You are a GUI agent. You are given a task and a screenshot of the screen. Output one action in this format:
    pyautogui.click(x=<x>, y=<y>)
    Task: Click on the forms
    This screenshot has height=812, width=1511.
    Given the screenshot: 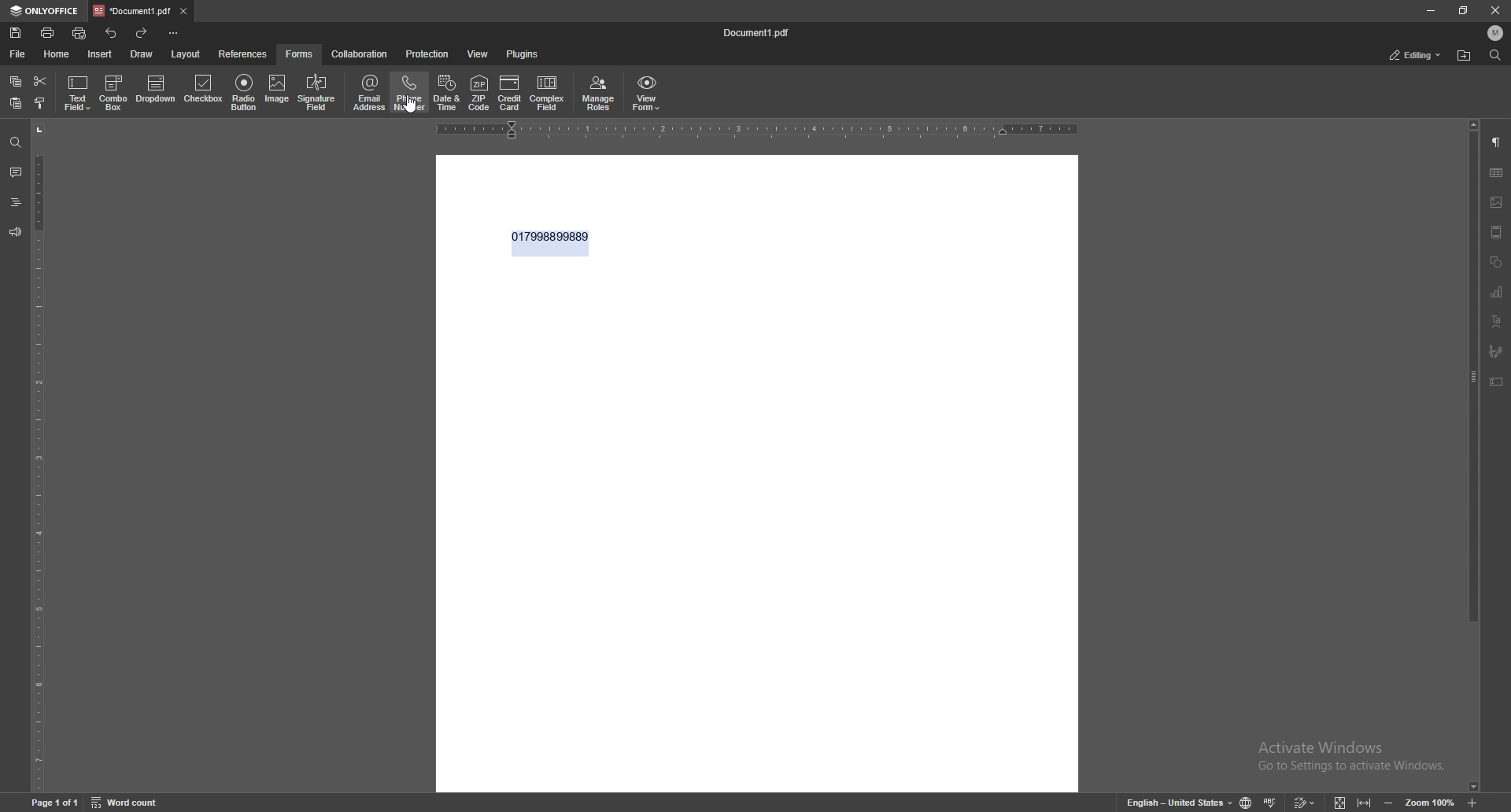 What is the action you would take?
    pyautogui.click(x=300, y=54)
    